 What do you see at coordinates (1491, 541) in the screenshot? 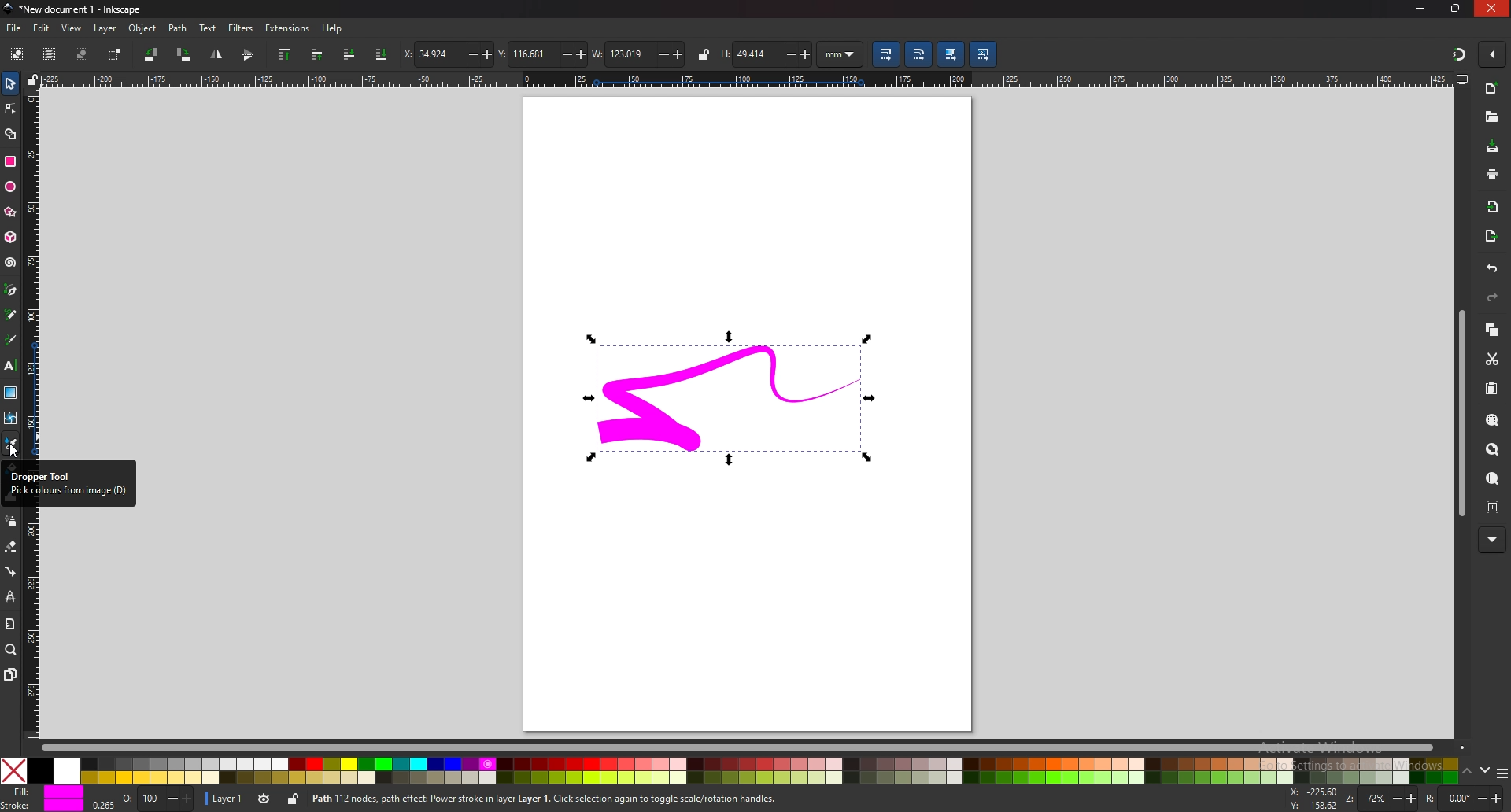
I see `more` at bounding box center [1491, 541].